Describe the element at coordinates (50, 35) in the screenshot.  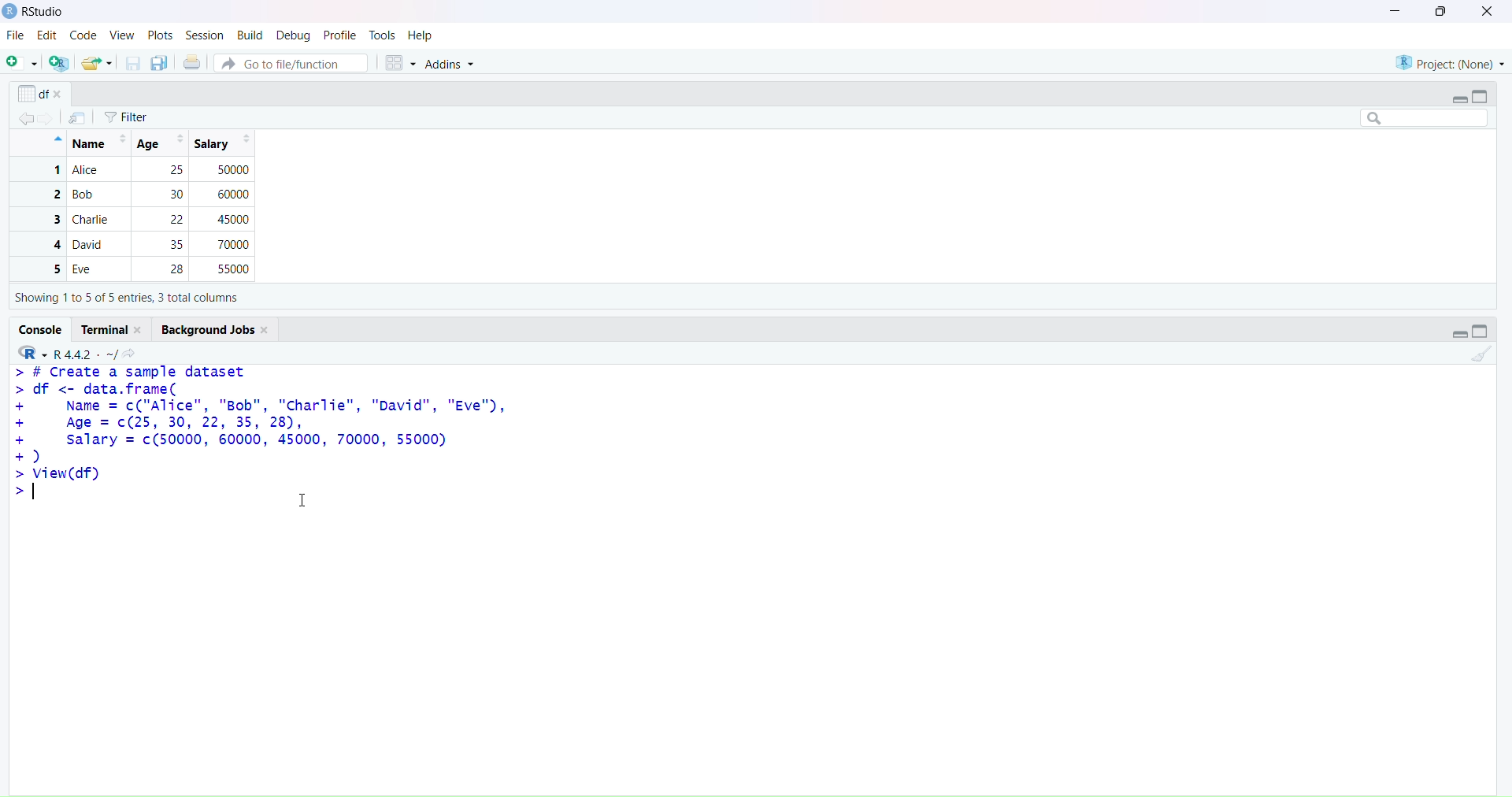
I see `edit` at that location.